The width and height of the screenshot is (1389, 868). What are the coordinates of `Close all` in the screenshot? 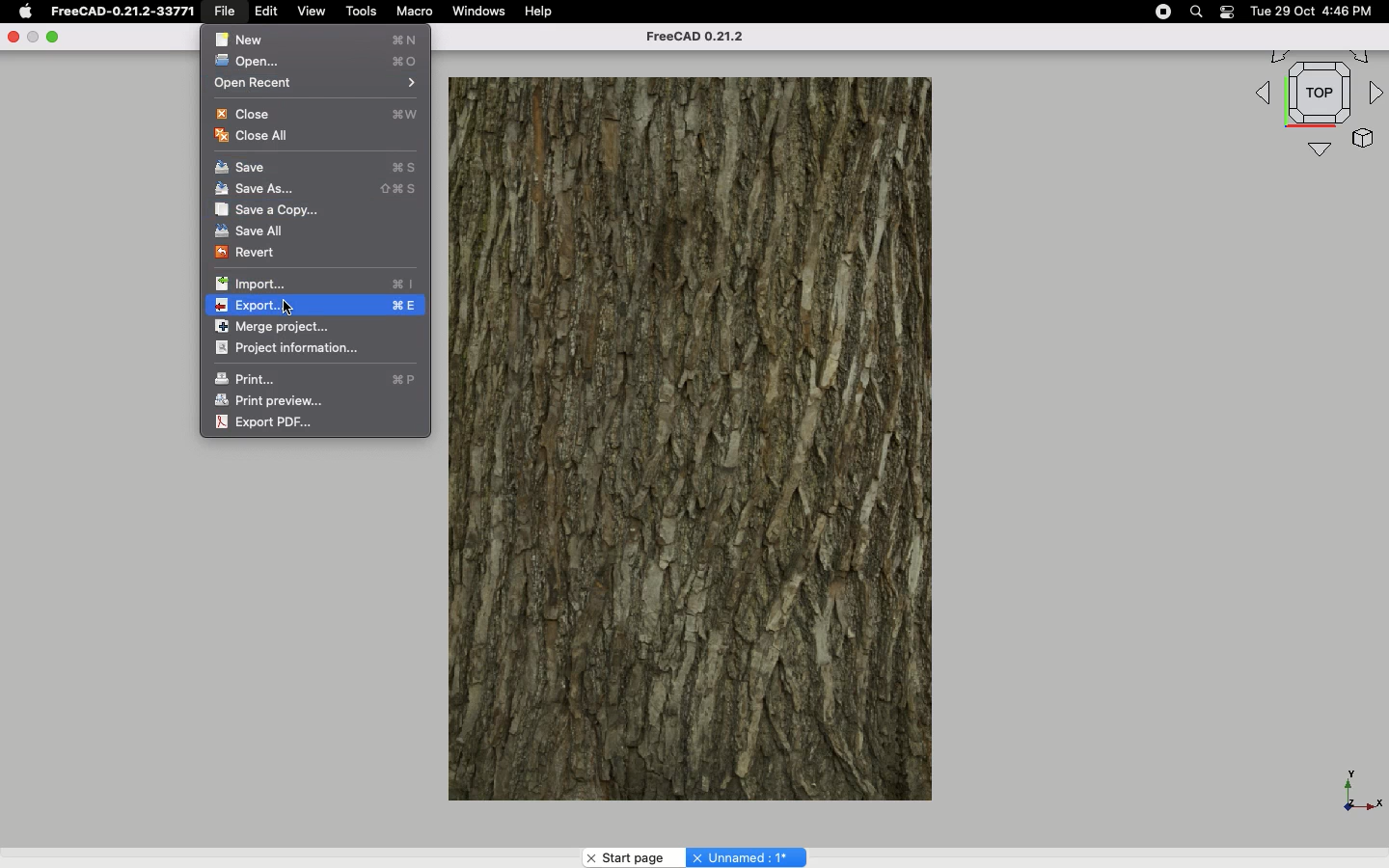 It's located at (256, 138).